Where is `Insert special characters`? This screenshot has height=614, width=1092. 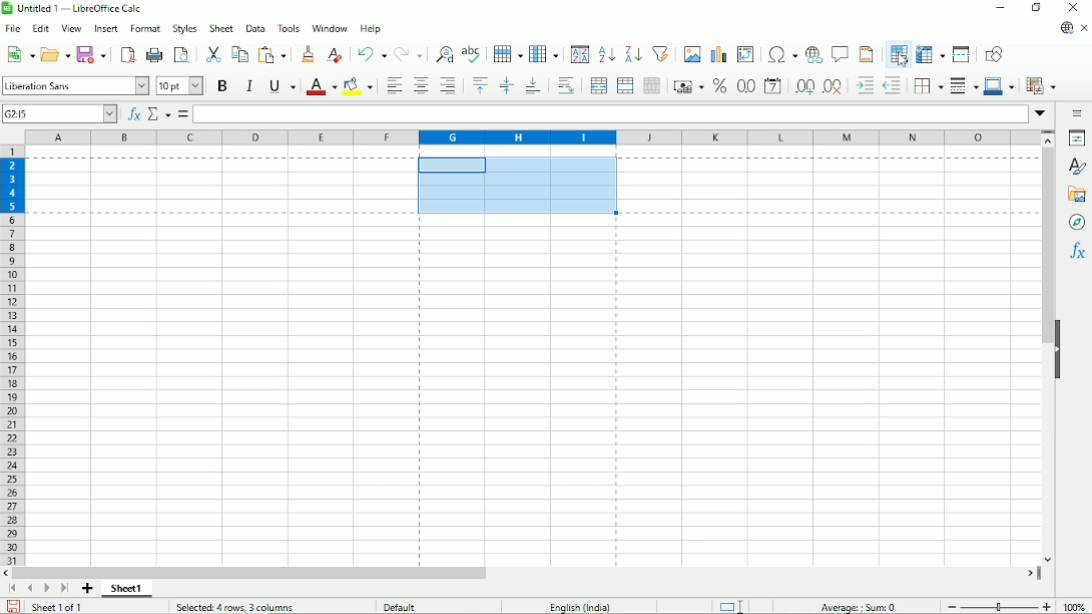 Insert special characters is located at coordinates (781, 54).